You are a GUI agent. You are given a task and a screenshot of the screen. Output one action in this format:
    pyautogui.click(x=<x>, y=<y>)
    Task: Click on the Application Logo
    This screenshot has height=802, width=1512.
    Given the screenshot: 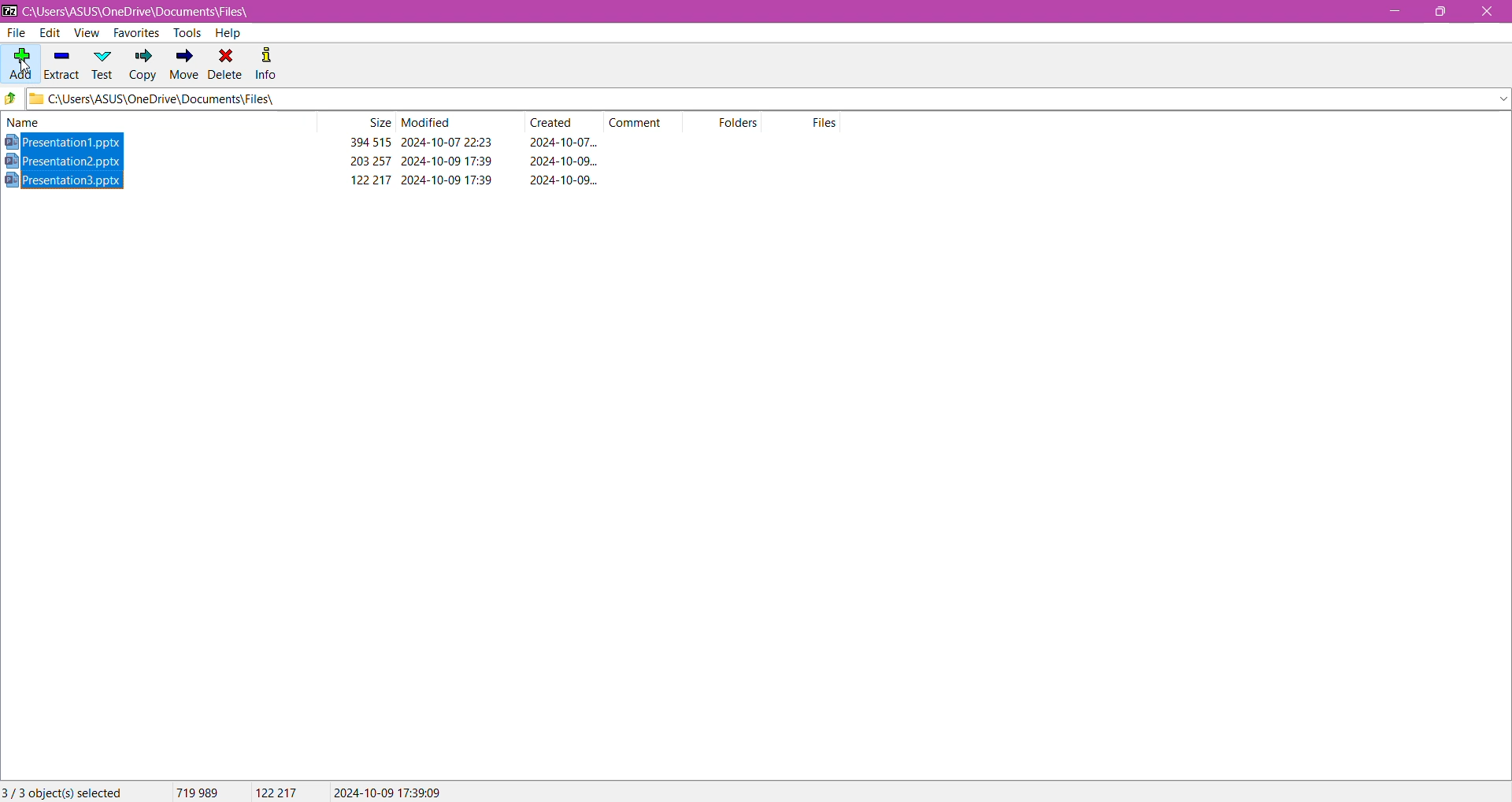 What is the action you would take?
    pyautogui.click(x=9, y=10)
    